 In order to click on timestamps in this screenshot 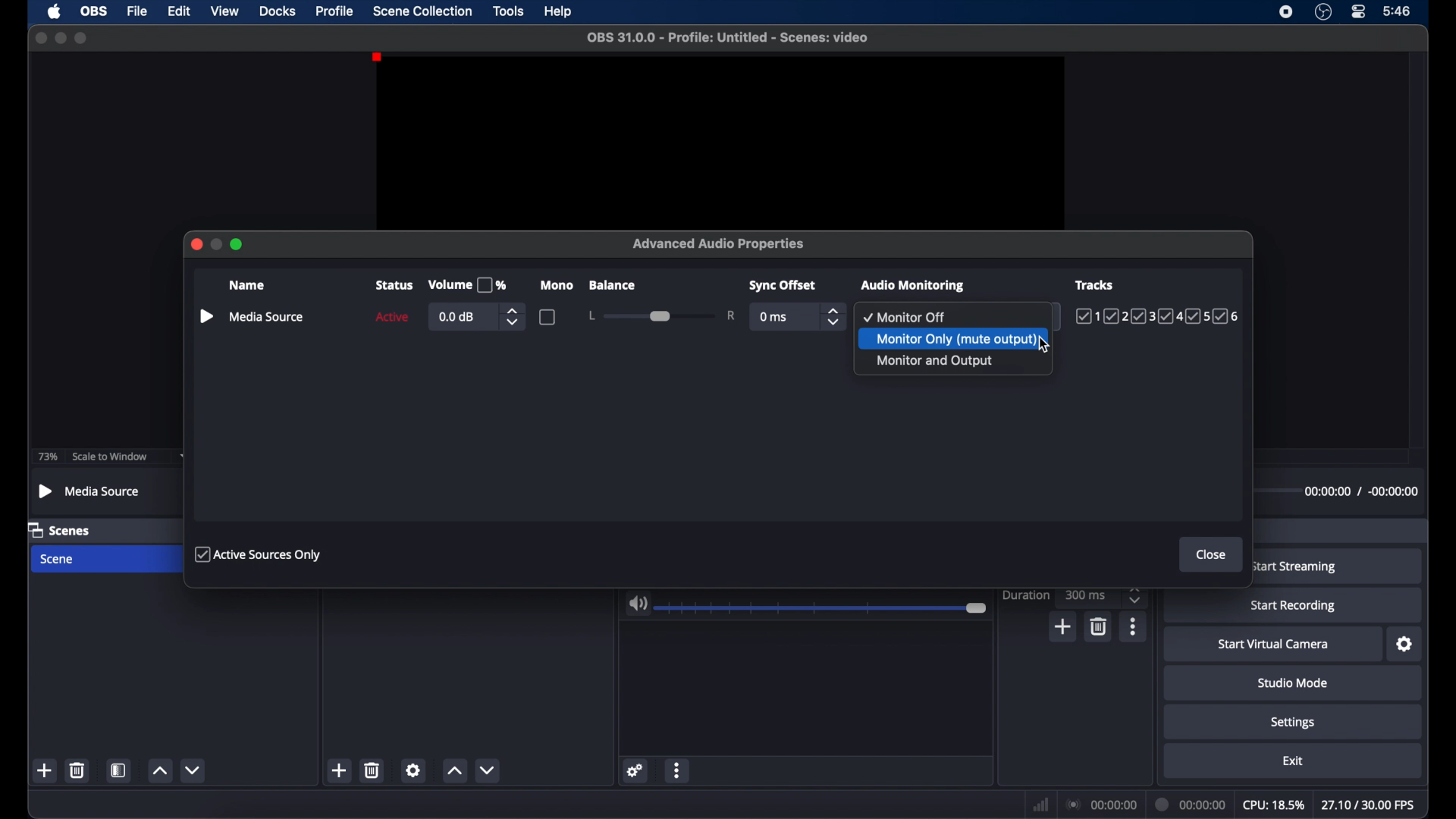, I will do `click(1361, 491)`.